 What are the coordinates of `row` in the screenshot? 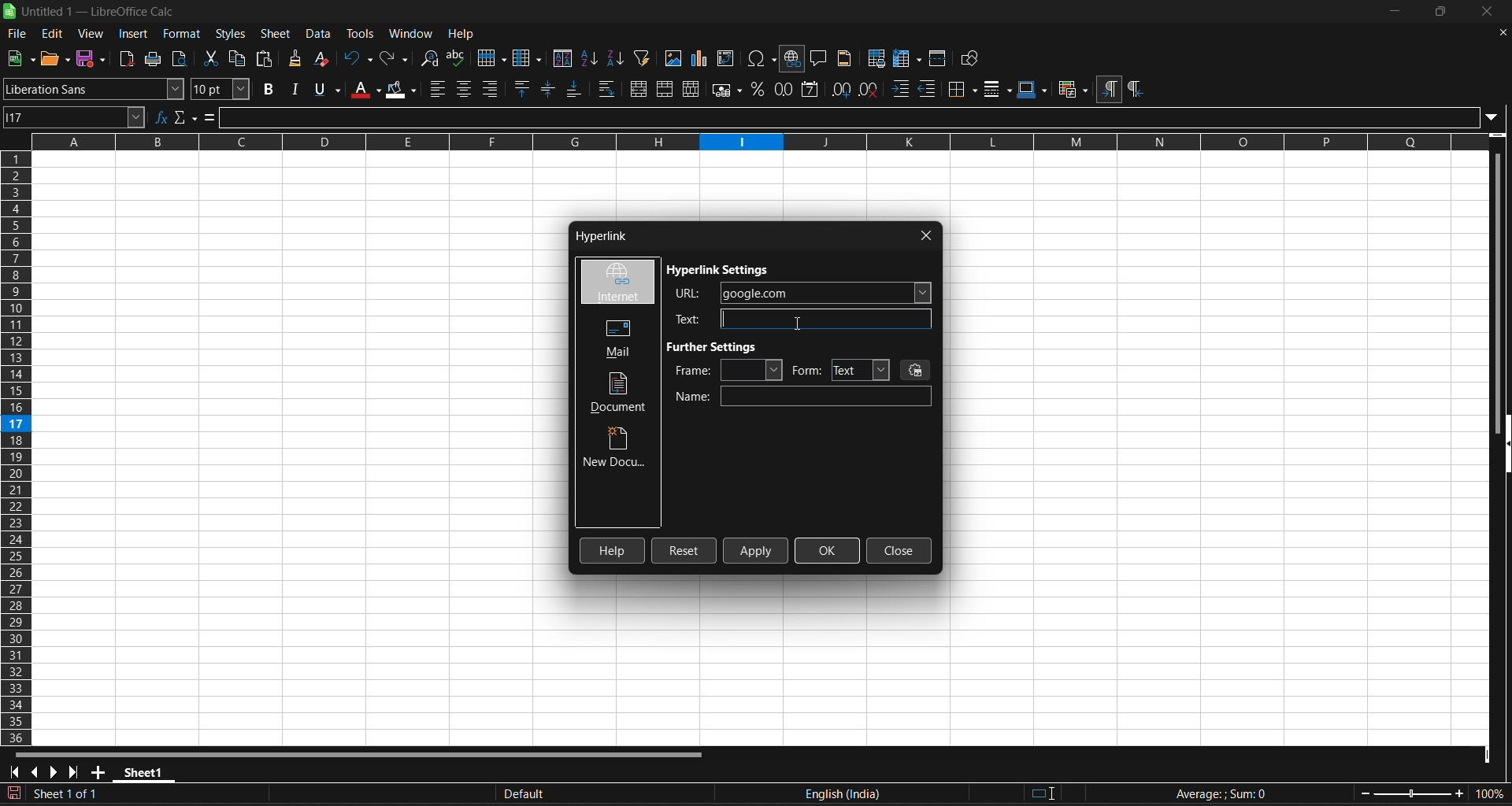 It's located at (491, 56).